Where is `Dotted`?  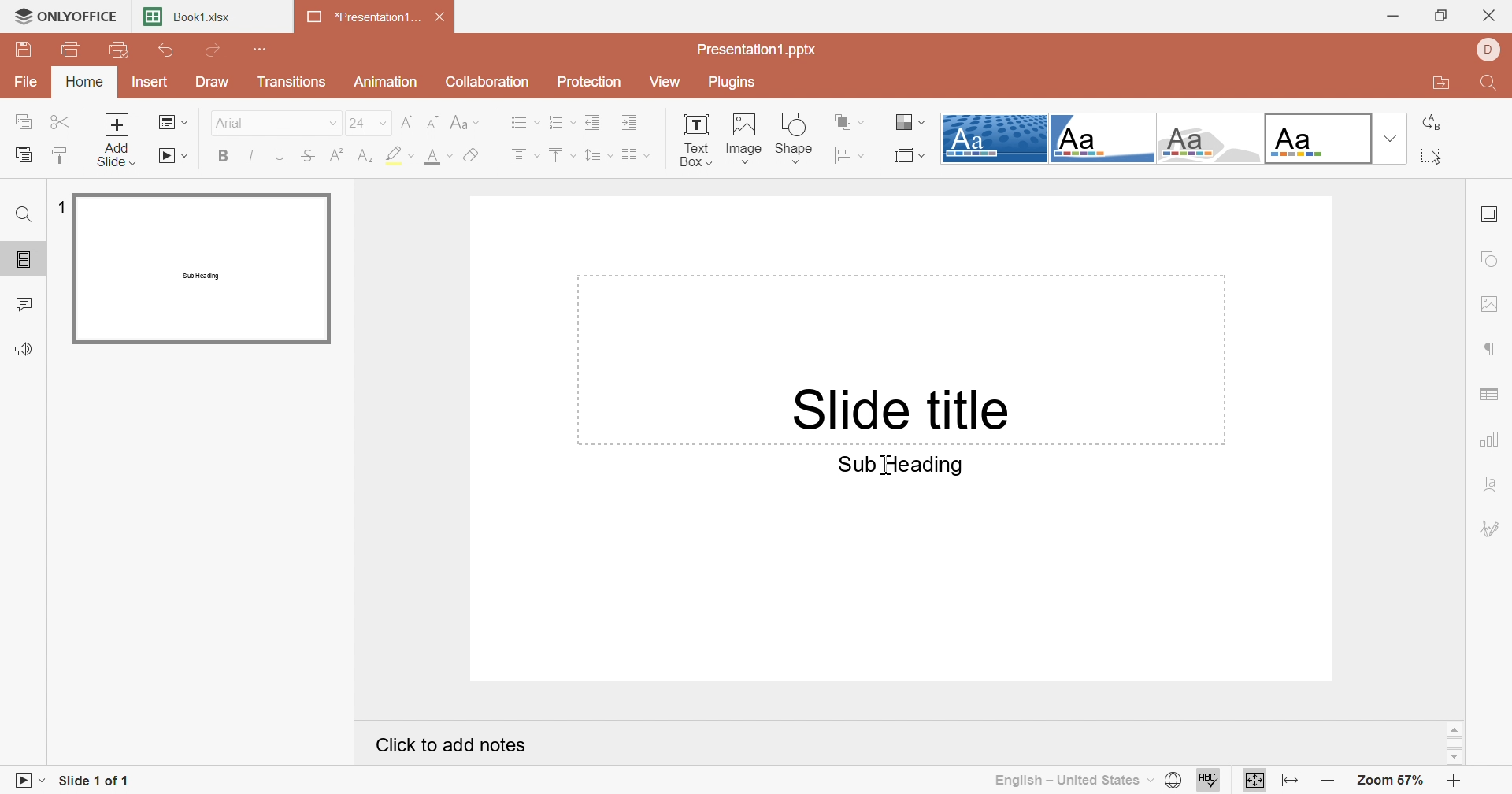 Dotted is located at coordinates (995, 138).